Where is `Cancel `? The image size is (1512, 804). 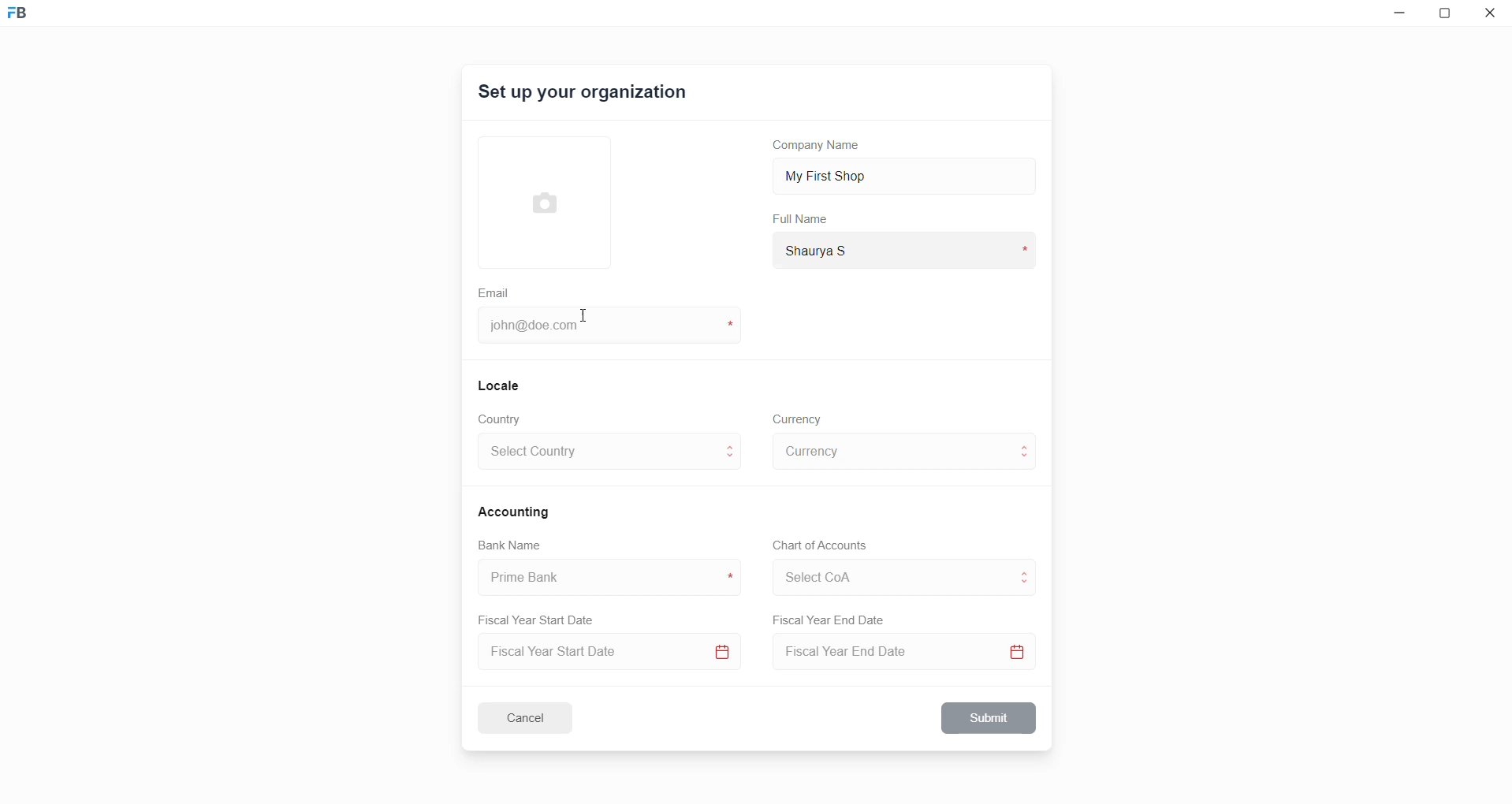
Cancel  is located at coordinates (535, 717).